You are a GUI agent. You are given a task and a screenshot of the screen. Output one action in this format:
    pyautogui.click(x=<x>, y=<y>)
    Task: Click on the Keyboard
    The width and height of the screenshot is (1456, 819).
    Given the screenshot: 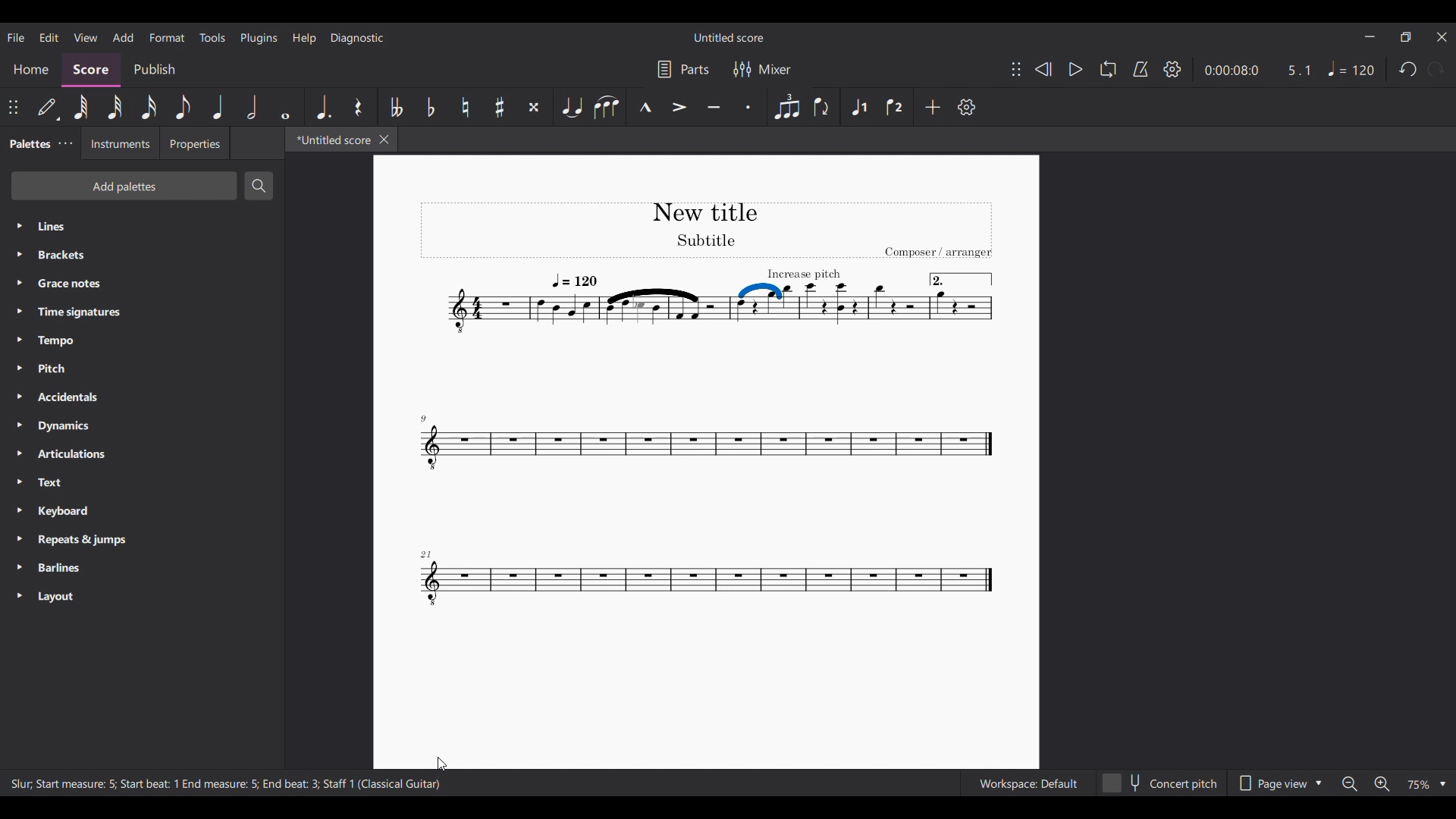 What is the action you would take?
    pyautogui.click(x=142, y=510)
    